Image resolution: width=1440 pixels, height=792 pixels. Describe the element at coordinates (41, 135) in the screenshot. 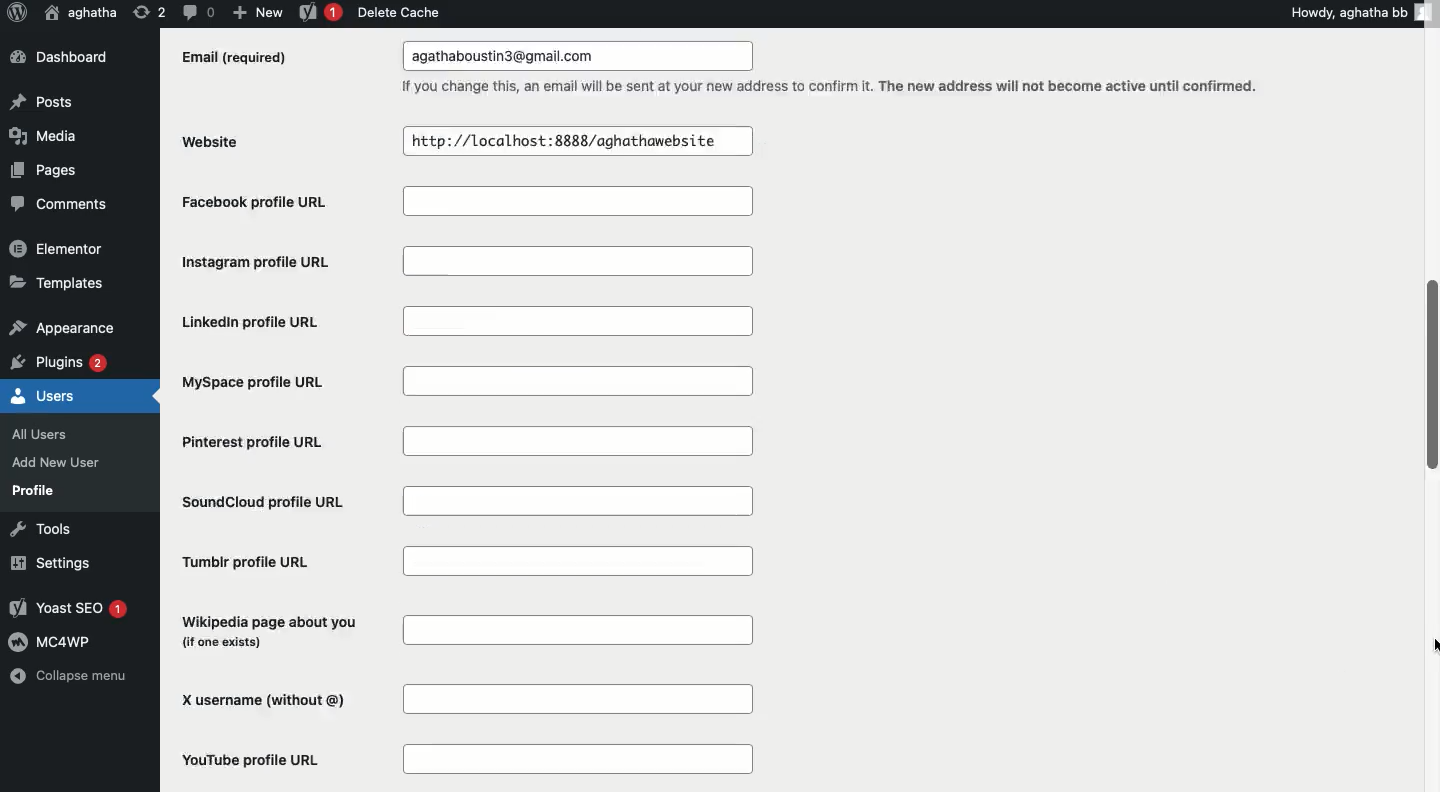

I see `Media` at that location.